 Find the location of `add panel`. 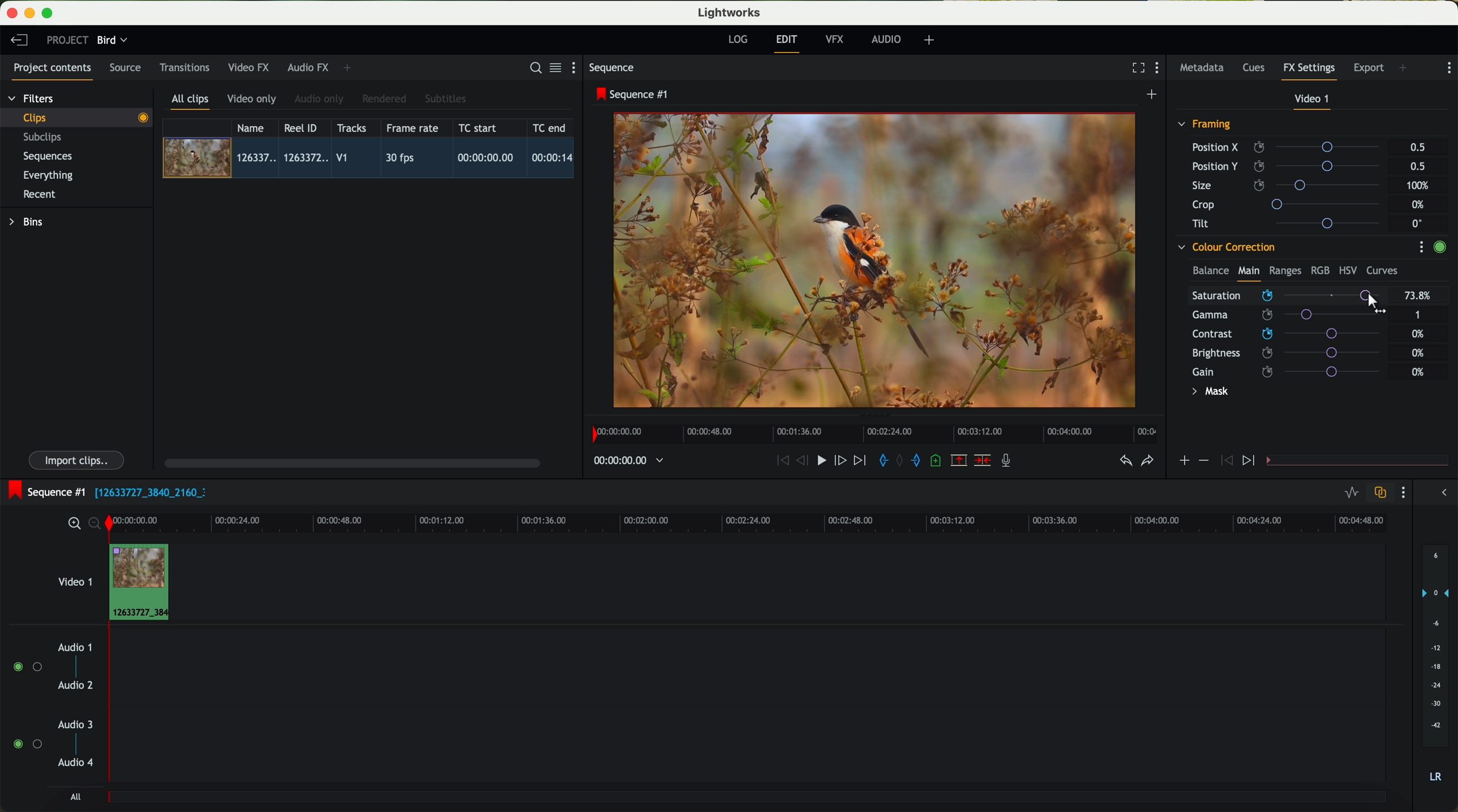

add panel is located at coordinates (350, 68).